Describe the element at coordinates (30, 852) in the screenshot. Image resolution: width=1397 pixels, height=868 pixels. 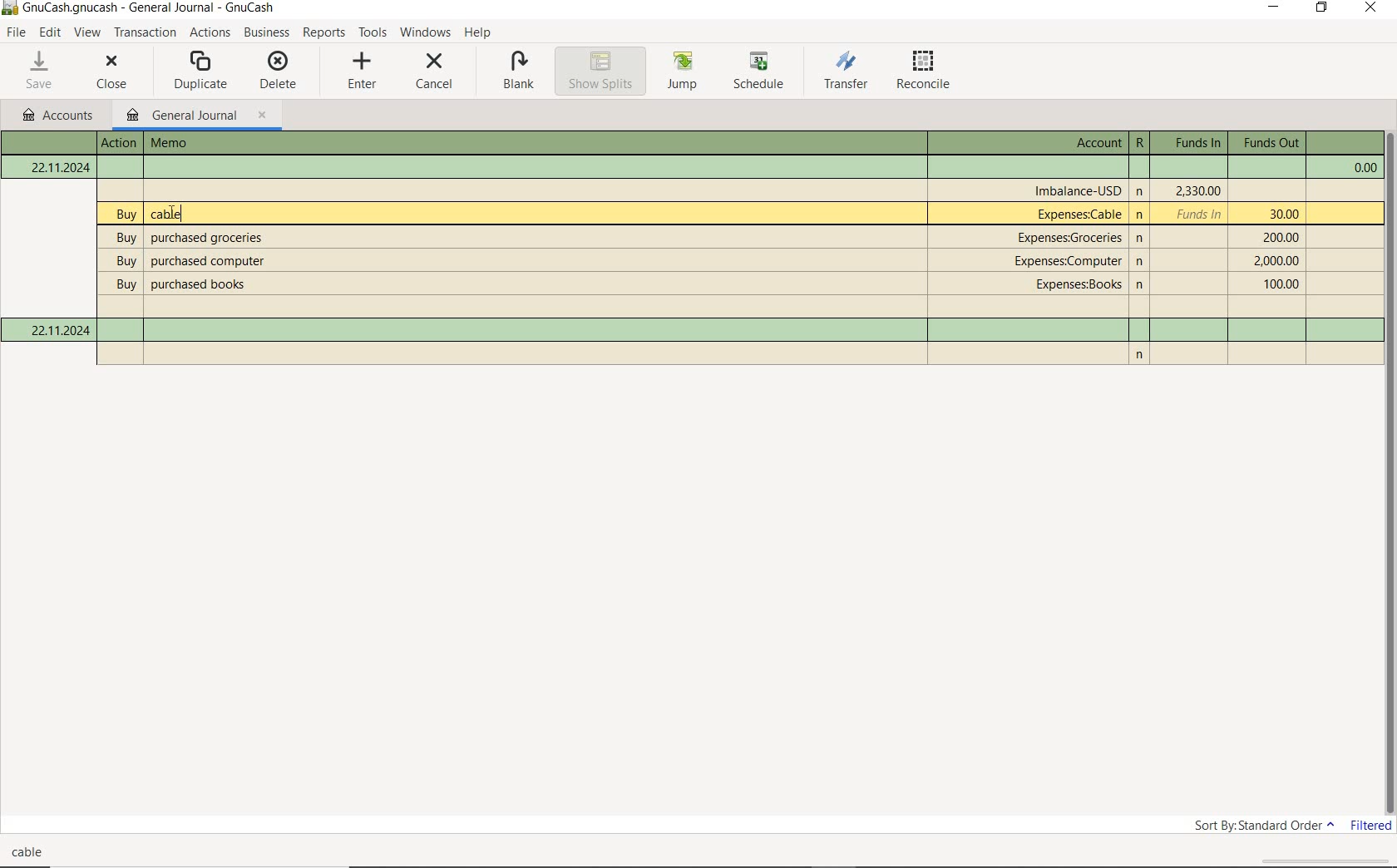
I see `Text` at that location.